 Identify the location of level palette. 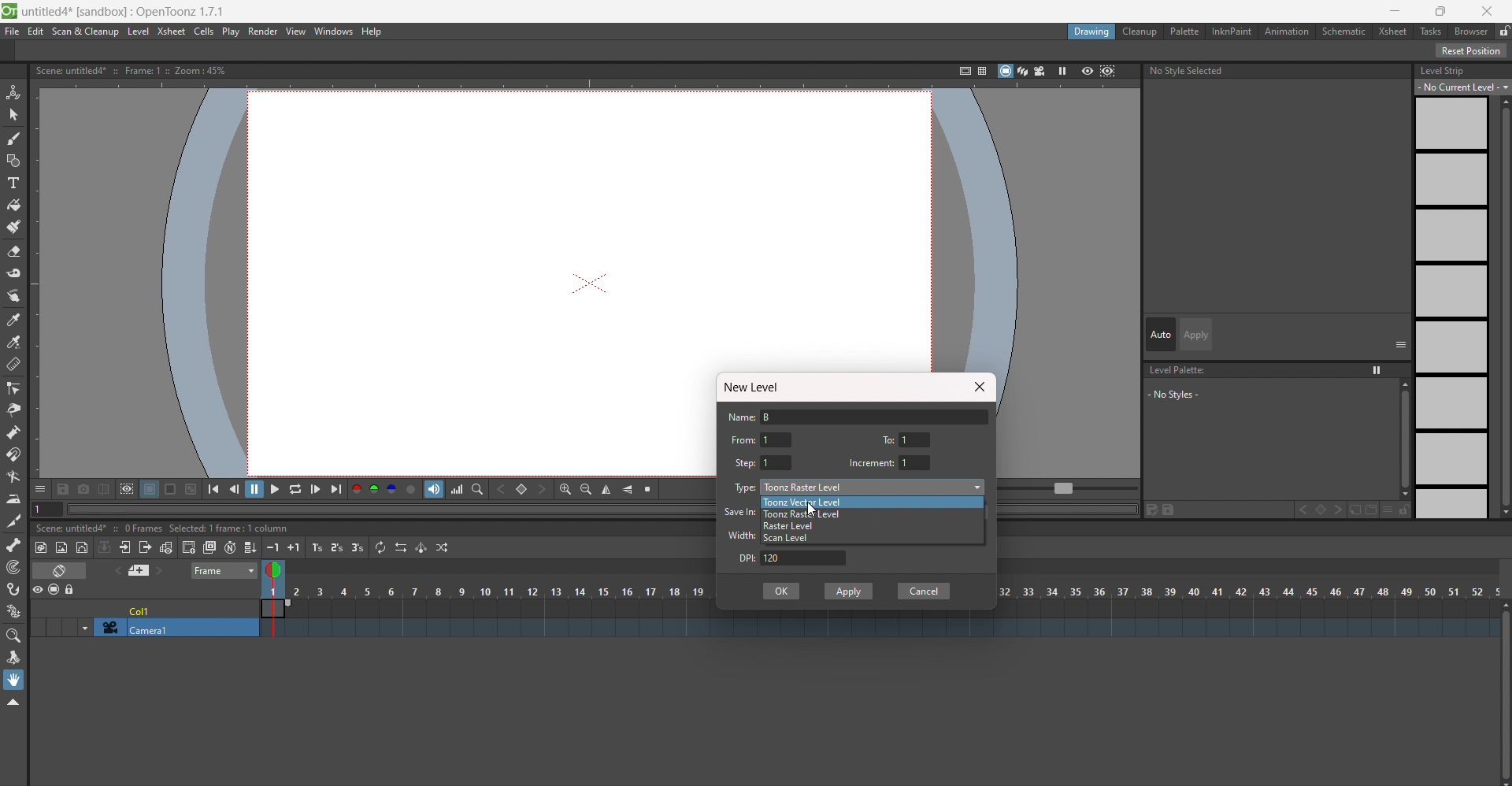
(1180, 370).